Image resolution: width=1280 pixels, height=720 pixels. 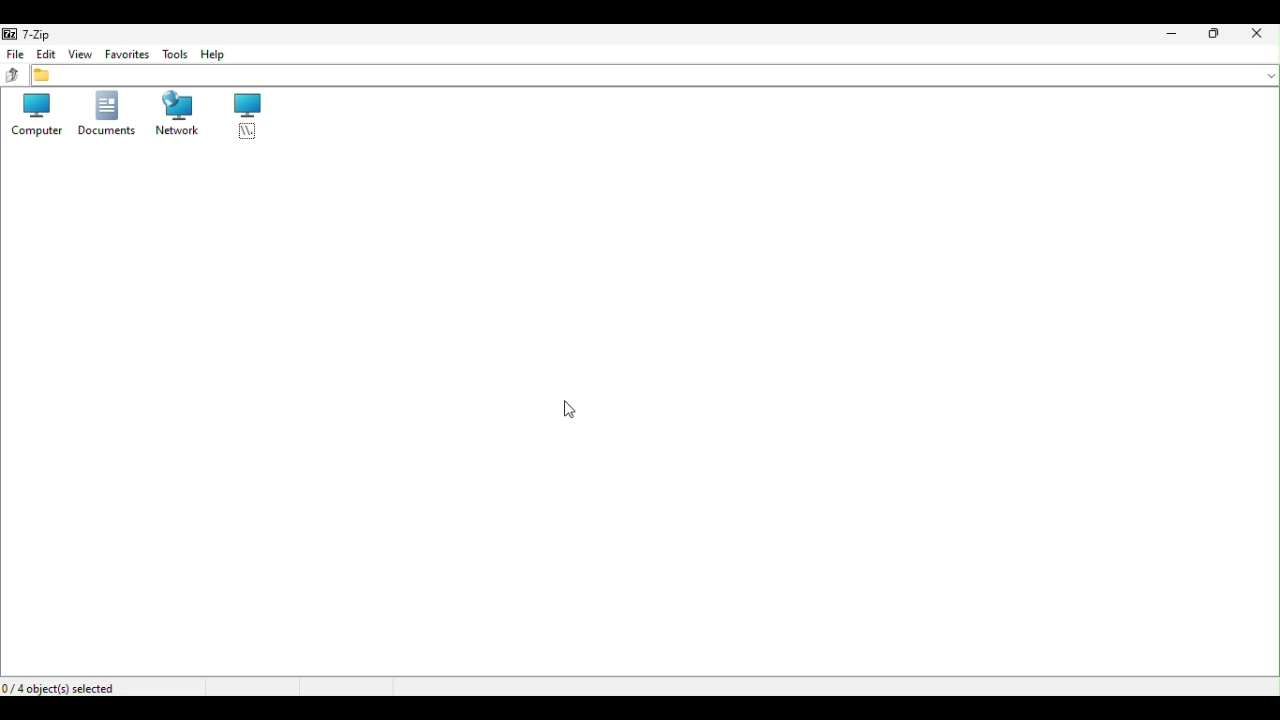 I want to click on Network, so click(x=178, y=117).